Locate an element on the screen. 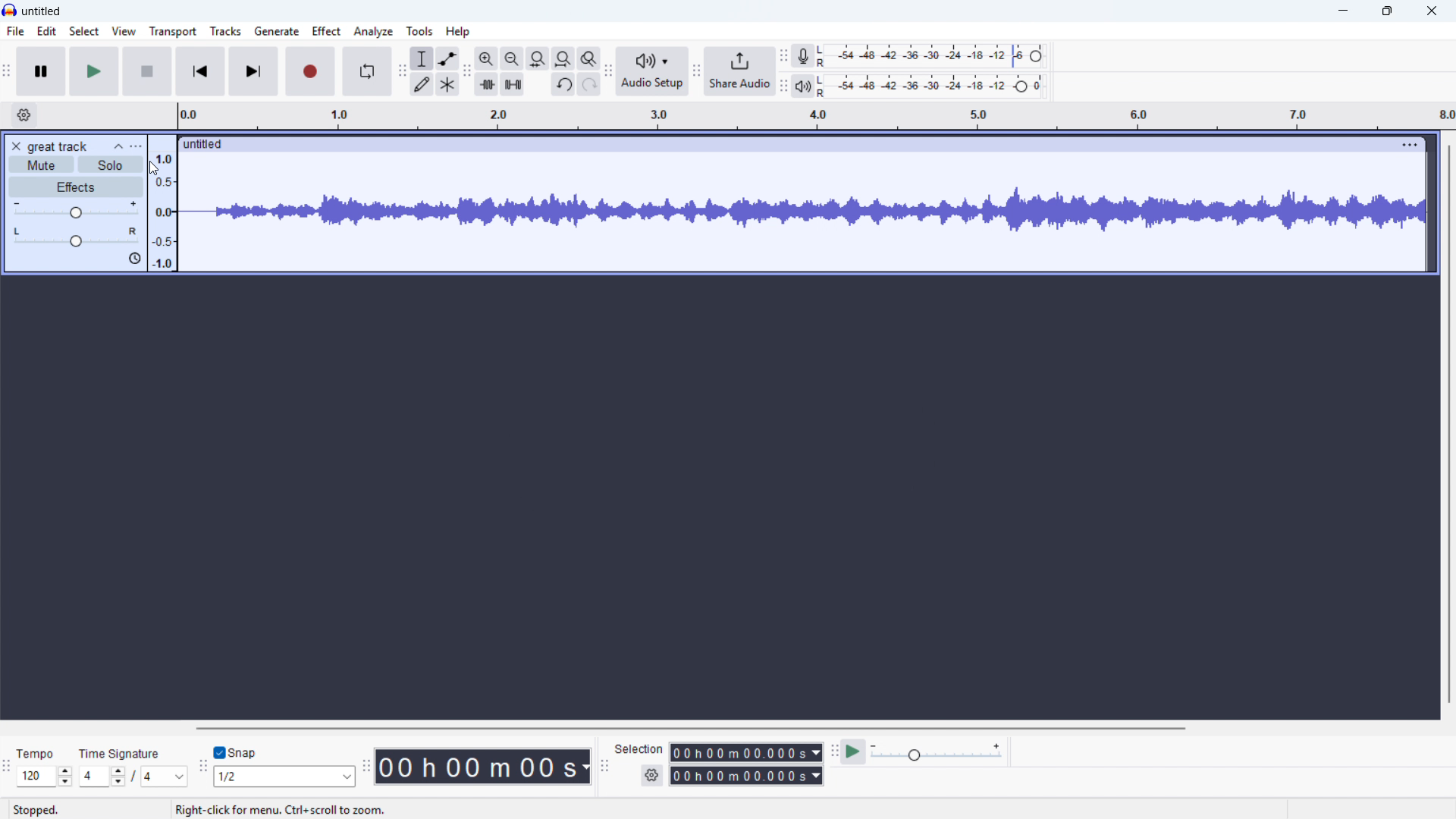 This screenshot has width=1456, height=819. Tempo is located at coordinates (39, 754).